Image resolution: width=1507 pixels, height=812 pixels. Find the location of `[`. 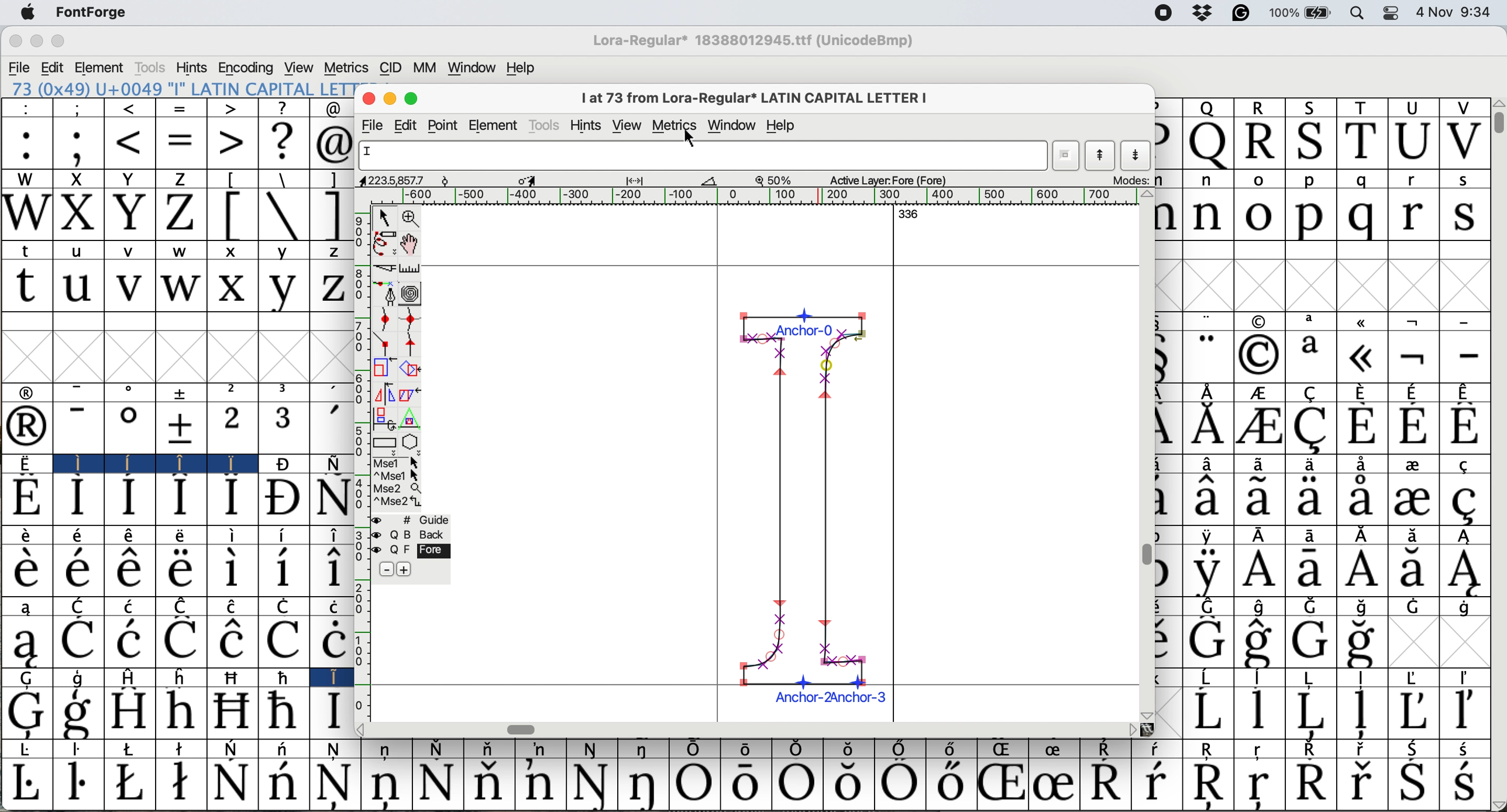

[ is located at coordinates (232, 180).